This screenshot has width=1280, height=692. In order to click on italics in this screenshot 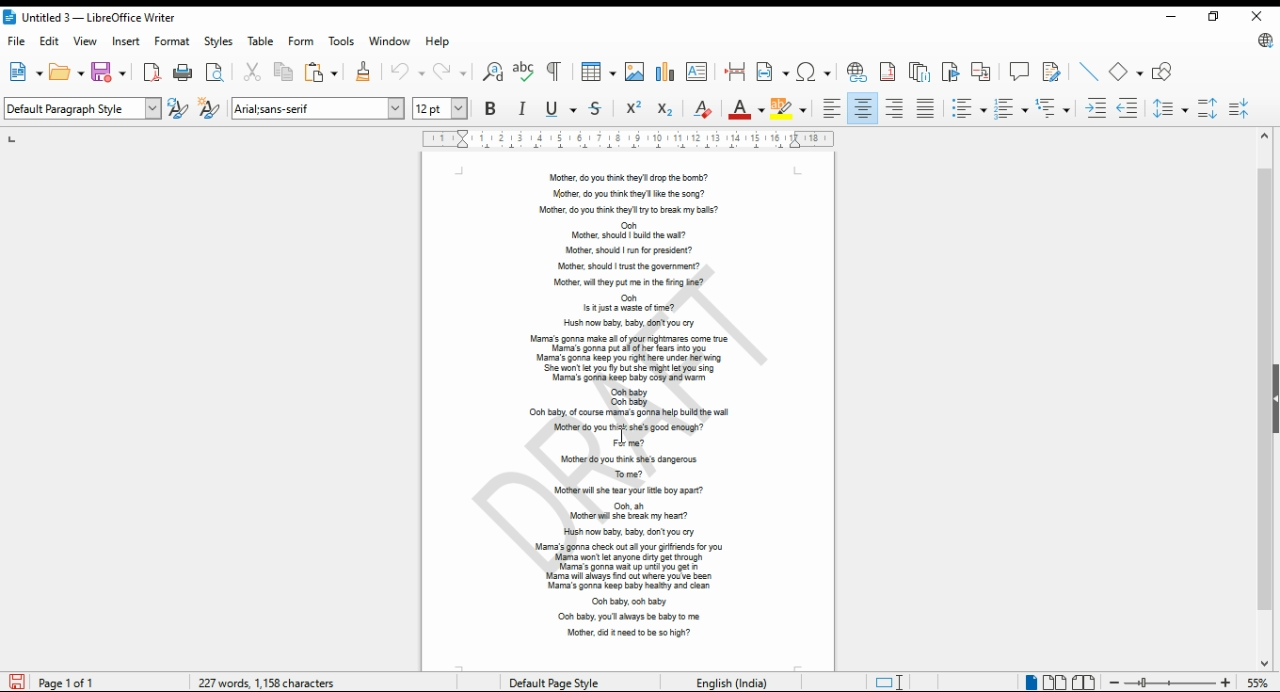, I will do `click(523, 108)`.